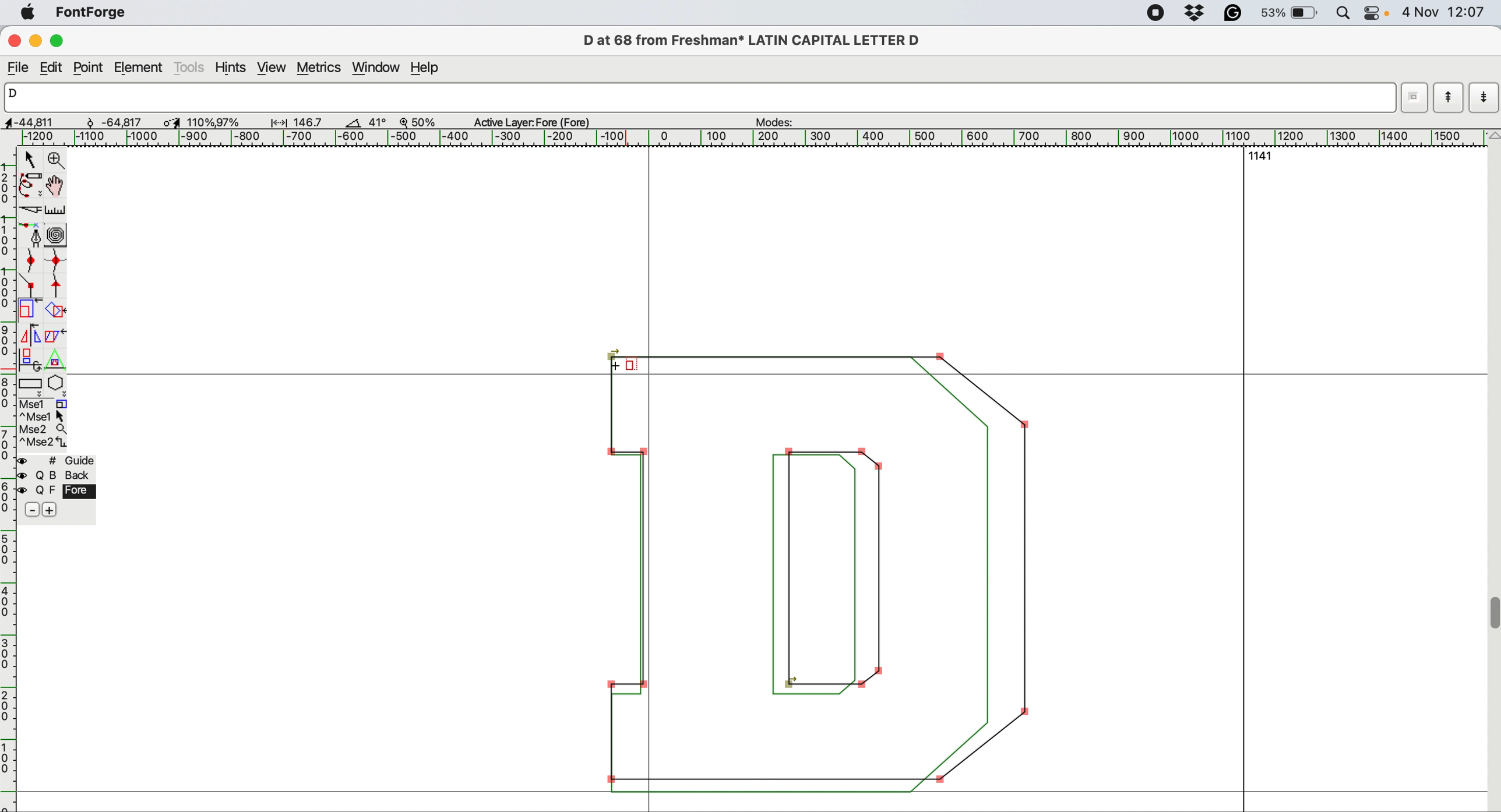 This screenshot has height=812, width=1501. What do you see at coordinates (28, 359) in the screenshot?
I see `rotate selection in 3d` at bounding box center [28, 359].